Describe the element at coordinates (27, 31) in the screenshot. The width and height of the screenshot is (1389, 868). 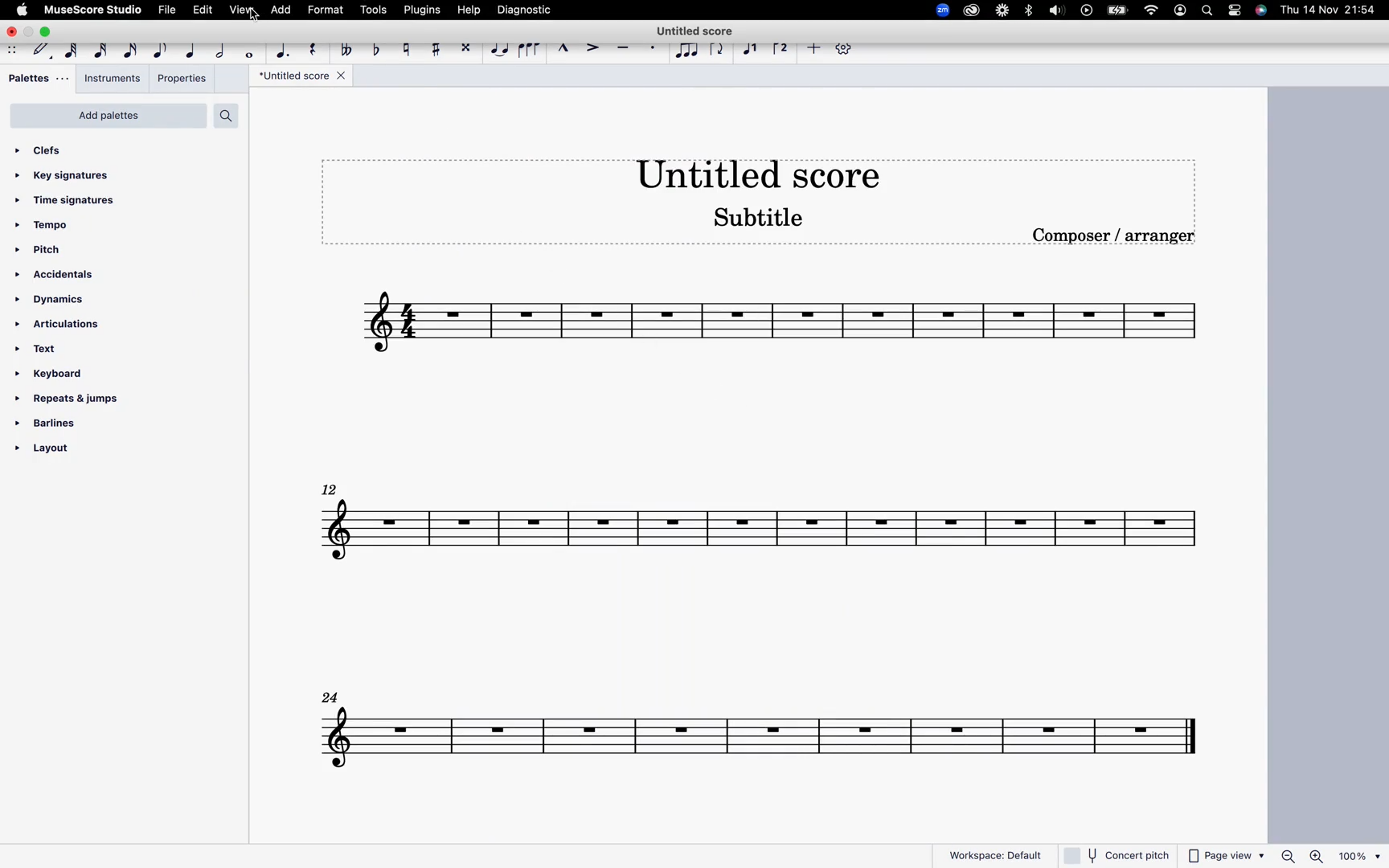
I see `minimize` at that location.